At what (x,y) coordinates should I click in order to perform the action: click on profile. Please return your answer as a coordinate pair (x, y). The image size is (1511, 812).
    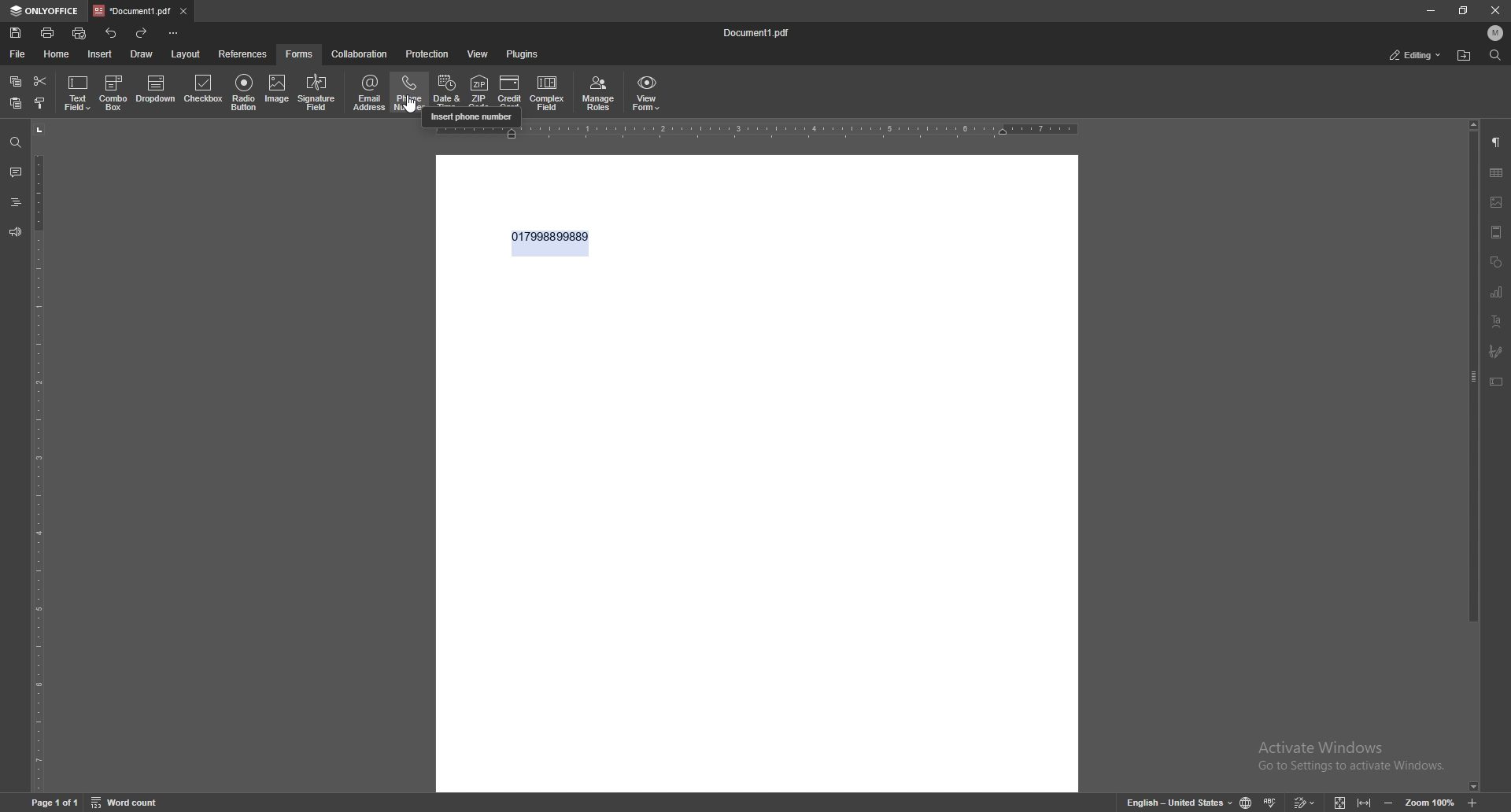
    Looking at the image, I should click on (1495, 33).